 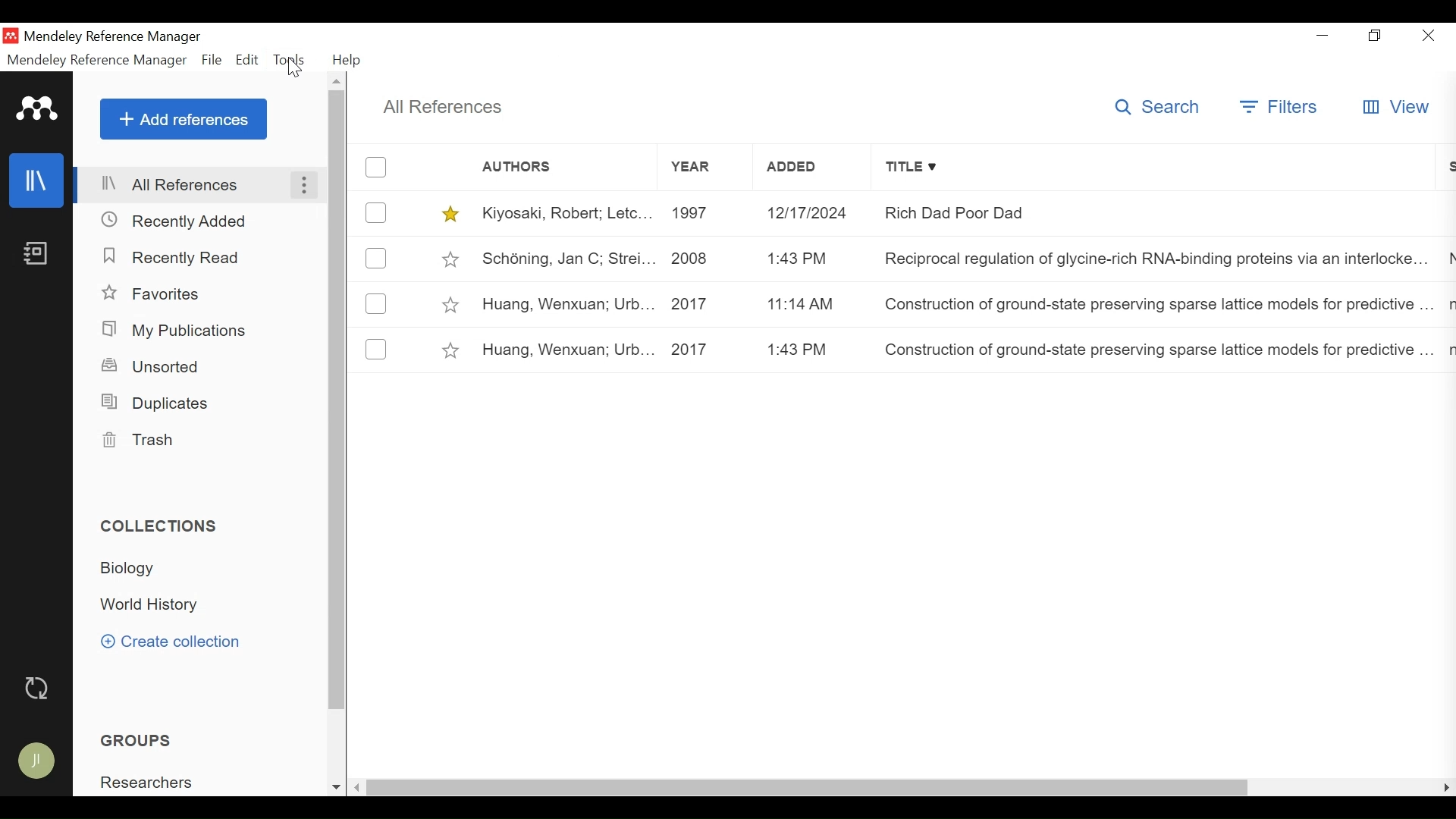 I want to click on (un)select, so click(x=375, y=168).